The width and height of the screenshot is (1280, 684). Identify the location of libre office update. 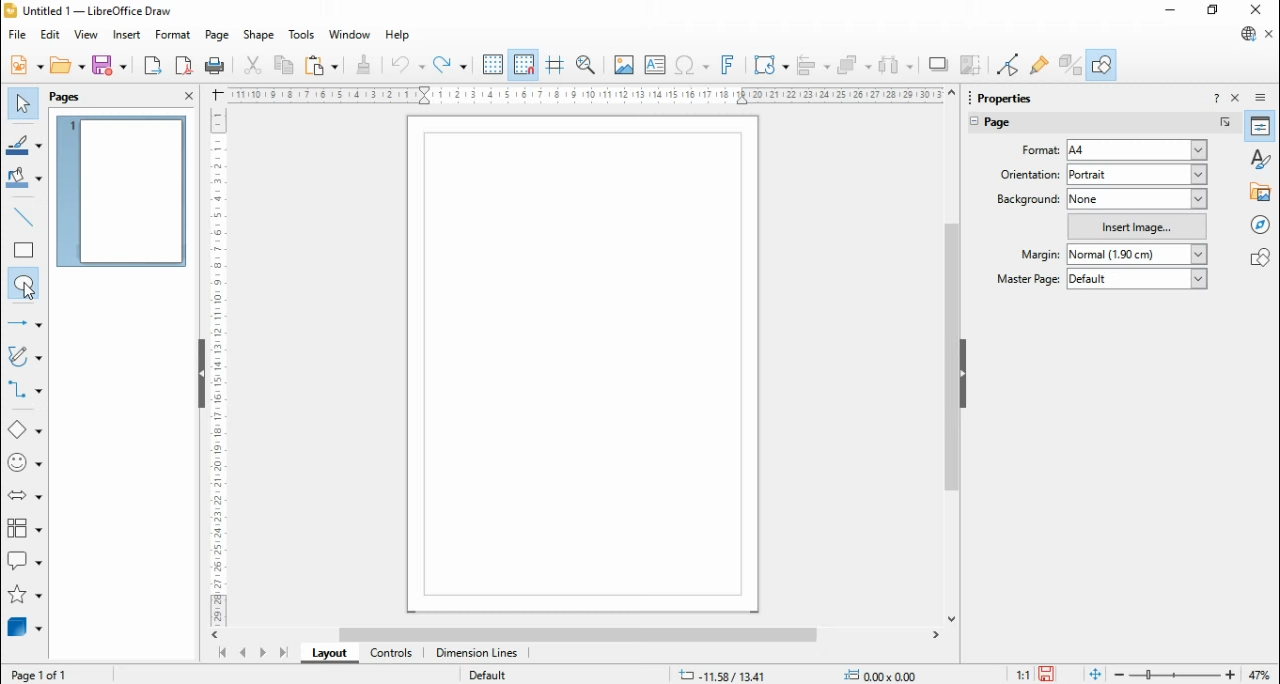
(1247, 33).